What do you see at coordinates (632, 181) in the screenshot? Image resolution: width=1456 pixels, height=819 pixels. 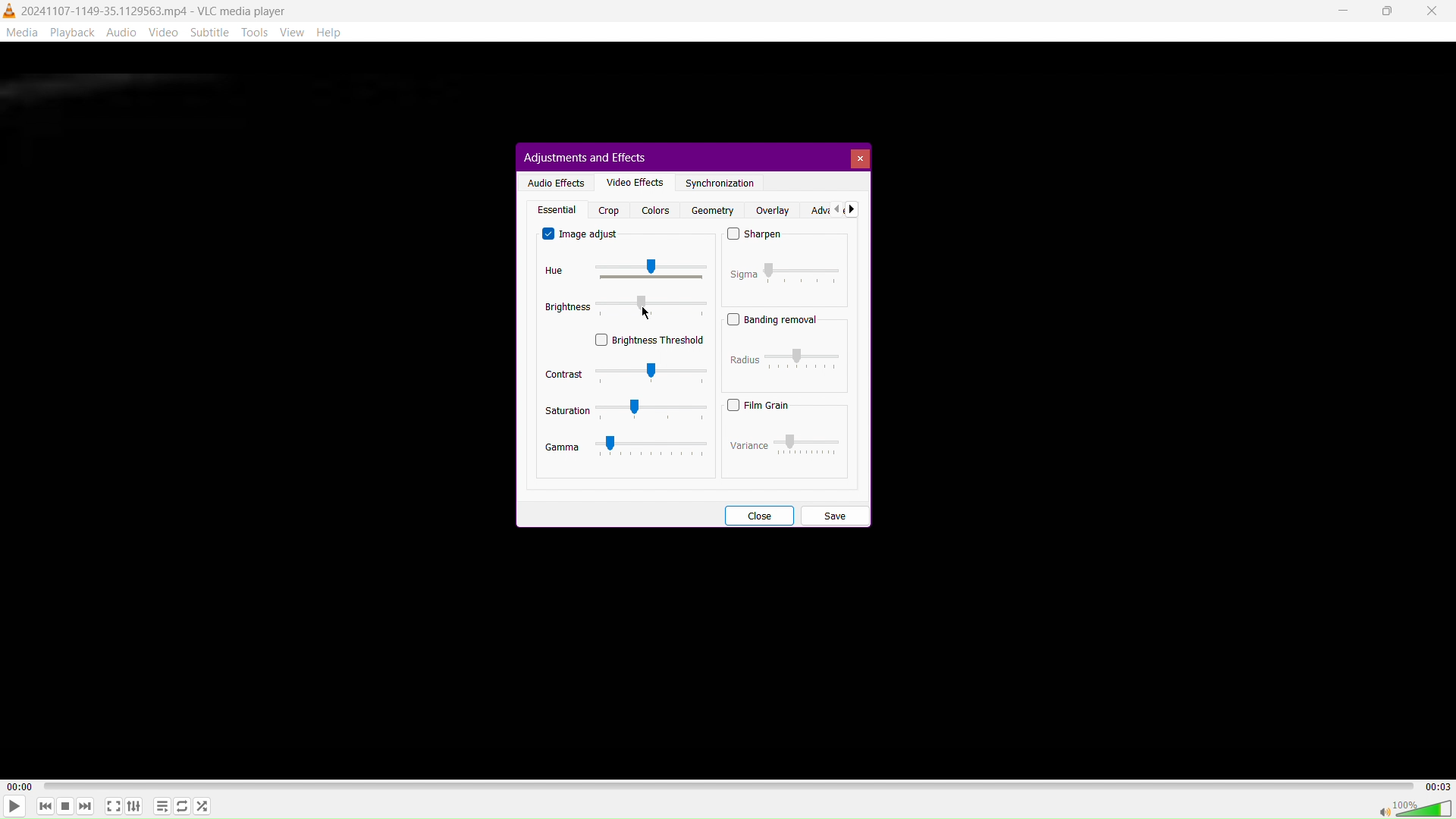 I see `Video Effects` at bounding box center [632, 181].